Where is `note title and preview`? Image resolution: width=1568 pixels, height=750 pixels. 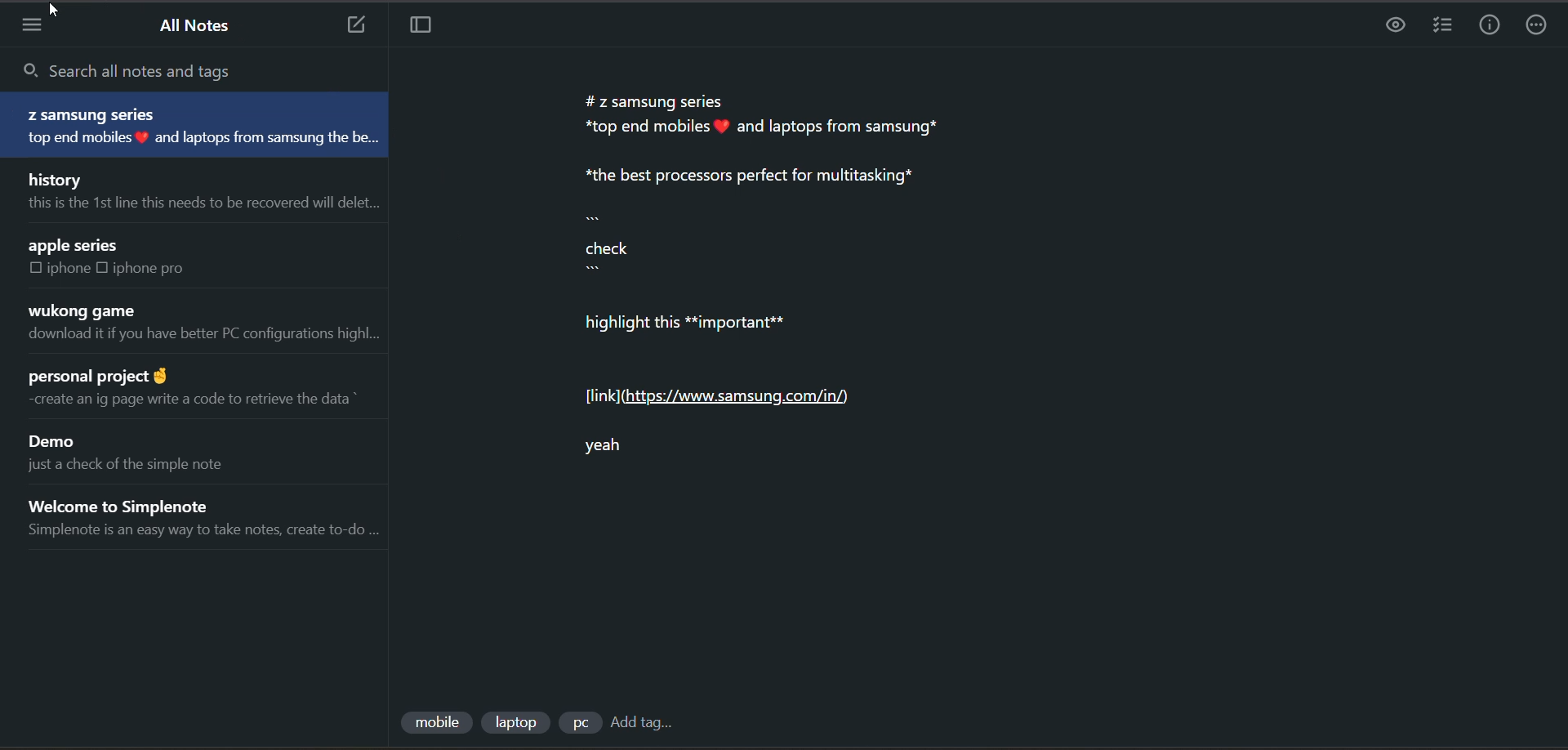 note title and preview is located at coordinates (107, 255).